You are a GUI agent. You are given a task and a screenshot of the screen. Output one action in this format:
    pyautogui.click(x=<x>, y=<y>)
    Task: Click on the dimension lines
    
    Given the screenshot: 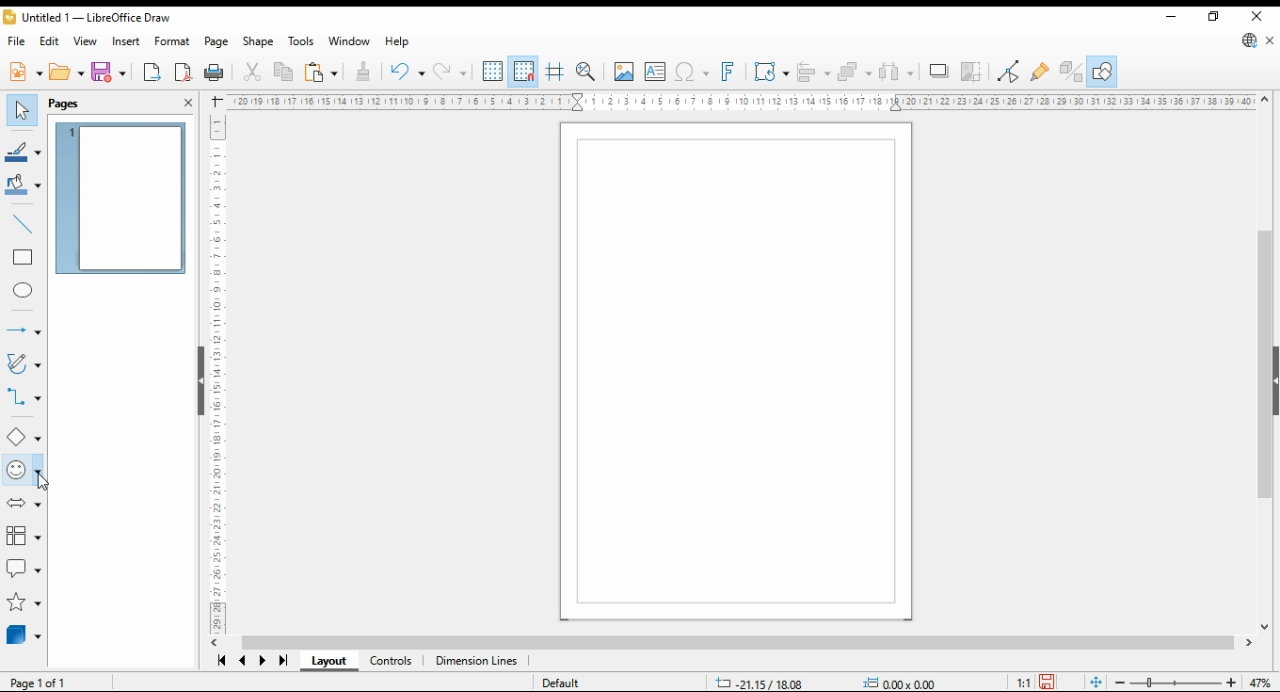 What is the action you would take?
    pyautogui.click(x=477, y=662)
    